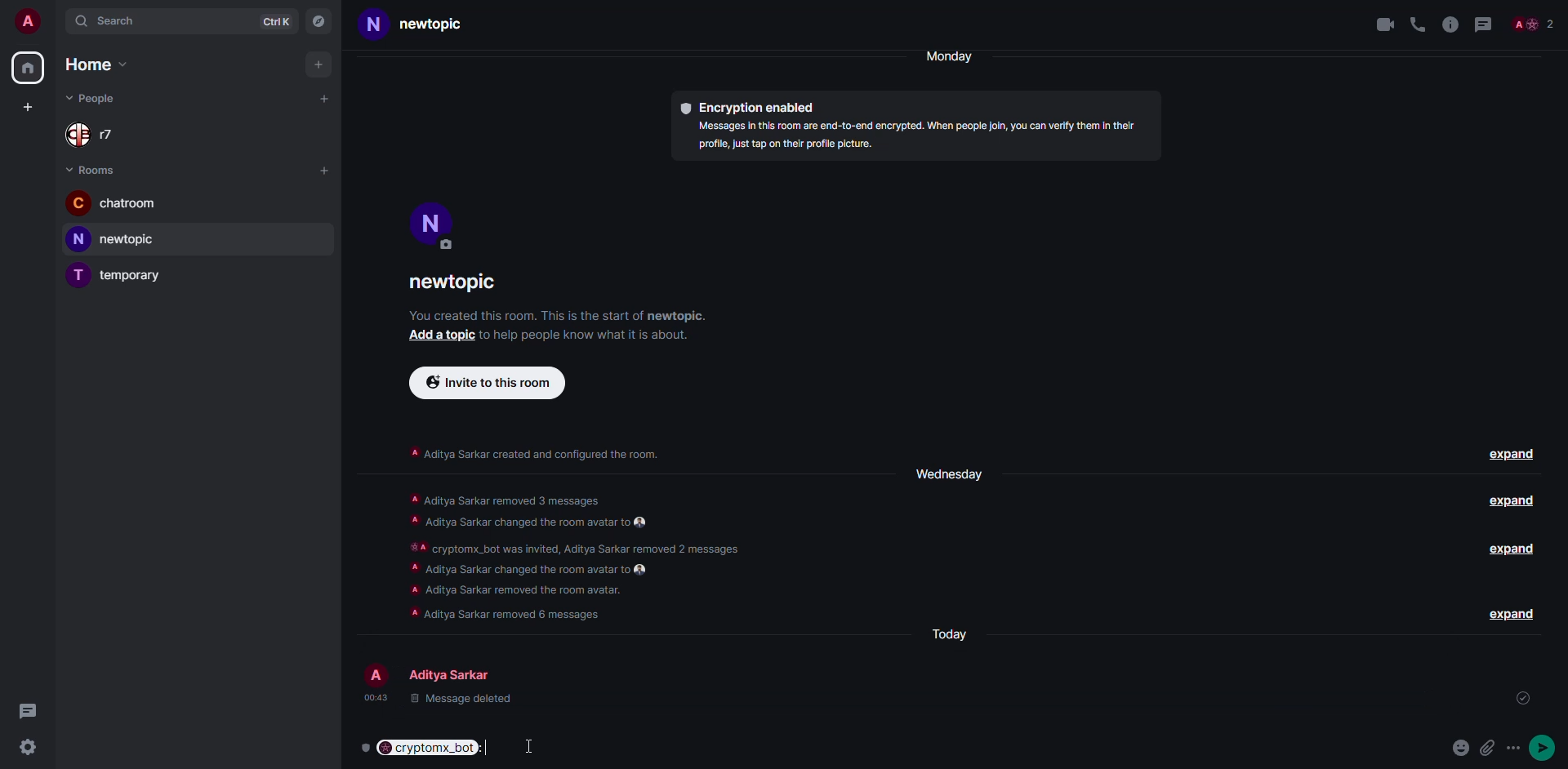 This screenshot has width=1568, height=769. What do you see at coordinates (98, 134) in the screenshot?
I see `people` at bounding box center [98, 134].